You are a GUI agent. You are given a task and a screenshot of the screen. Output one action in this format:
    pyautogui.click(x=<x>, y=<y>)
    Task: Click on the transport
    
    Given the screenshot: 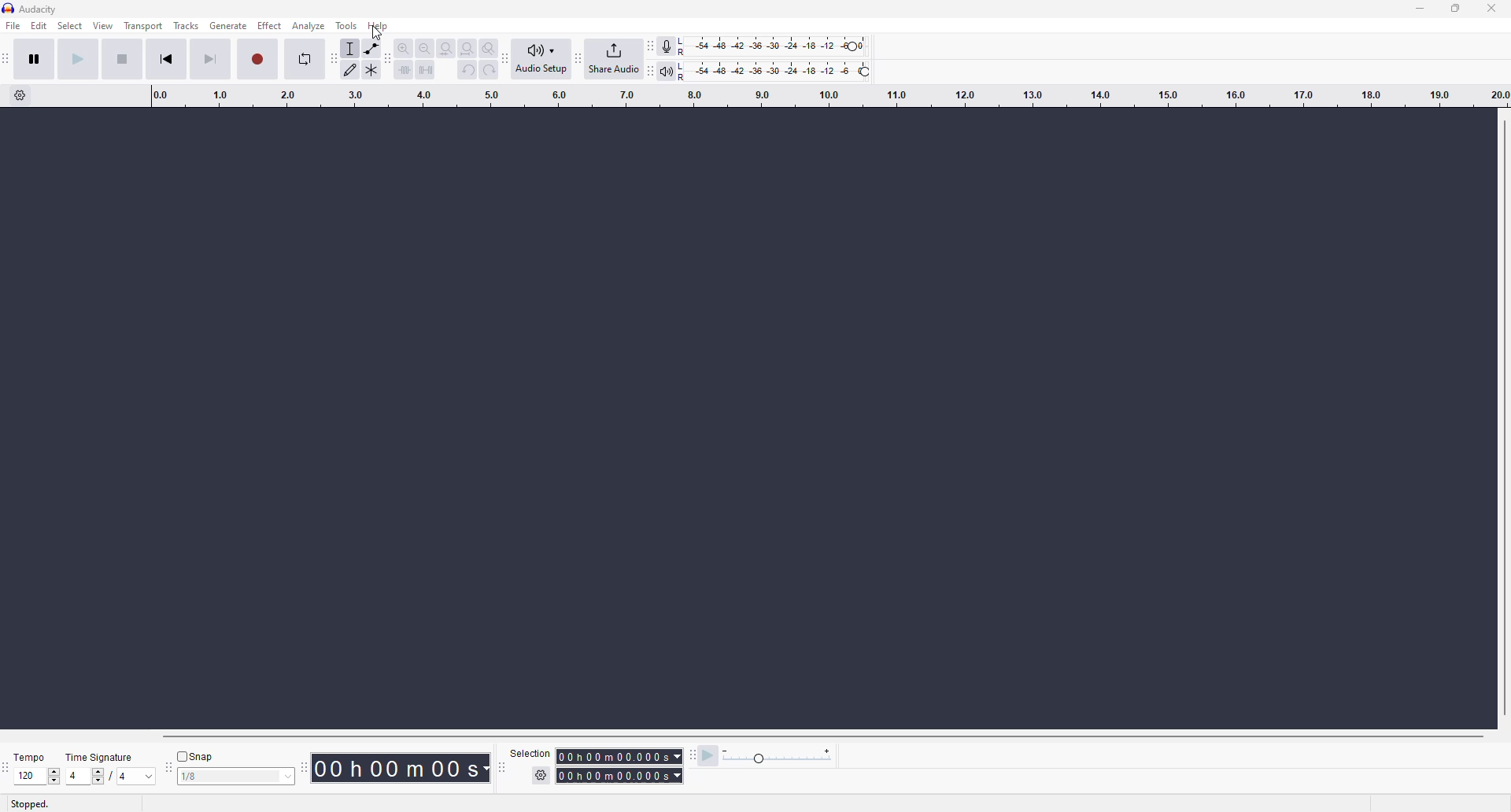 What is the action you would take?
    pyautogui.click(x=142, y=27)
    